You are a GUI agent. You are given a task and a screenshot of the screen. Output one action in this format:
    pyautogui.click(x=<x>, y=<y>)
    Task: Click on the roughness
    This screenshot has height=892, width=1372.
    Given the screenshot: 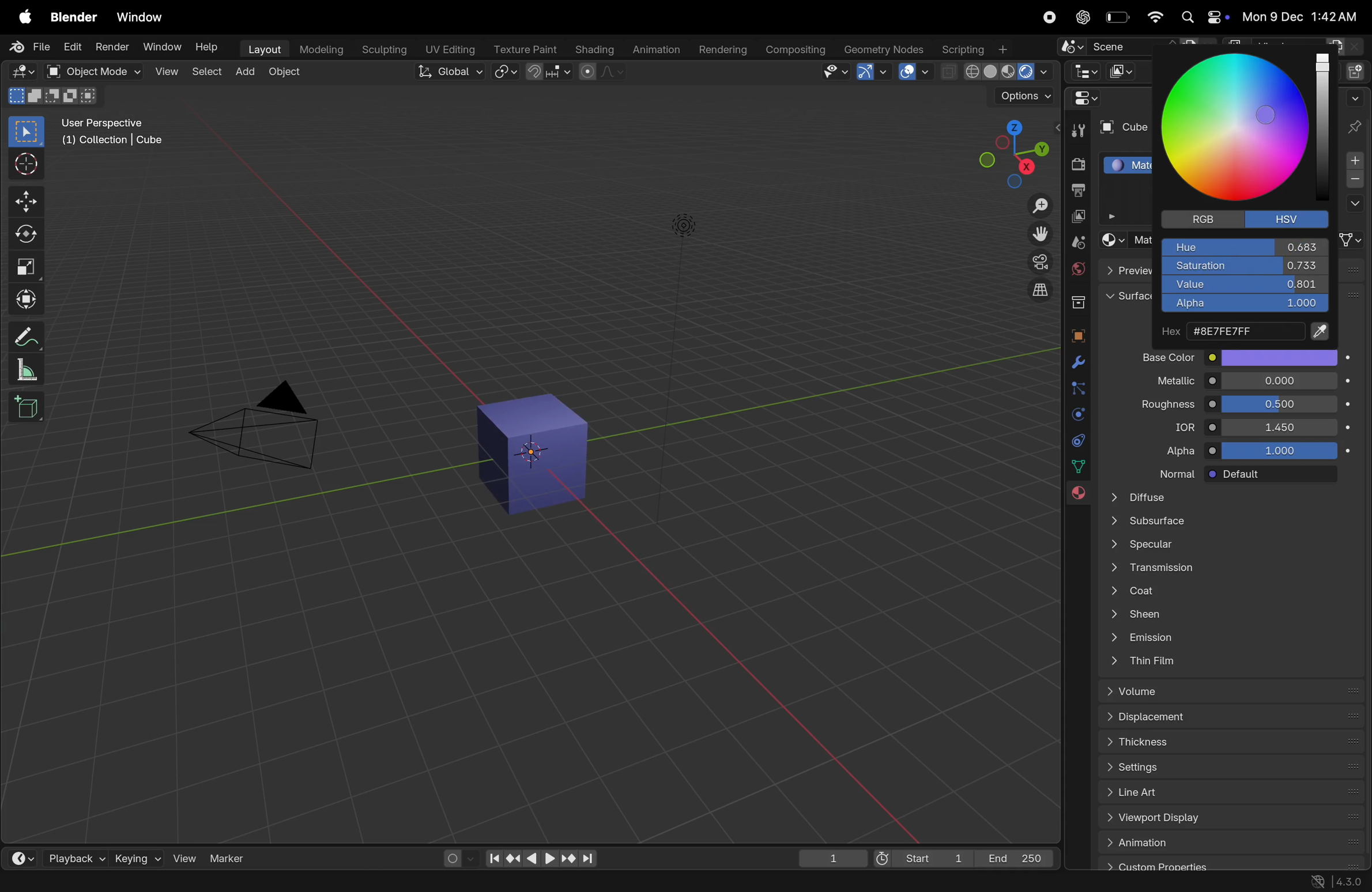 What is the action you would take?
    pyautogui.click(x=1158, y=406)
    